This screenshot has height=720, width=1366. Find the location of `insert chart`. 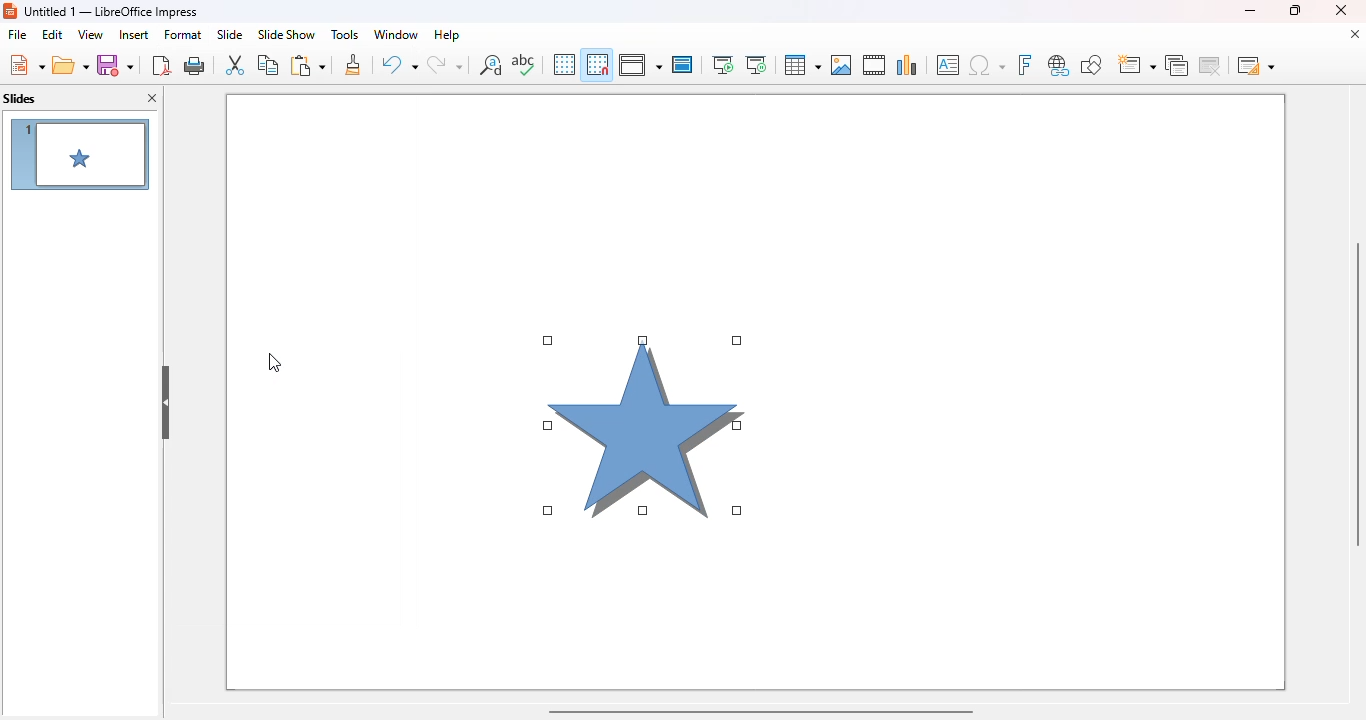

insert chart is located at coordinates (907, 64).